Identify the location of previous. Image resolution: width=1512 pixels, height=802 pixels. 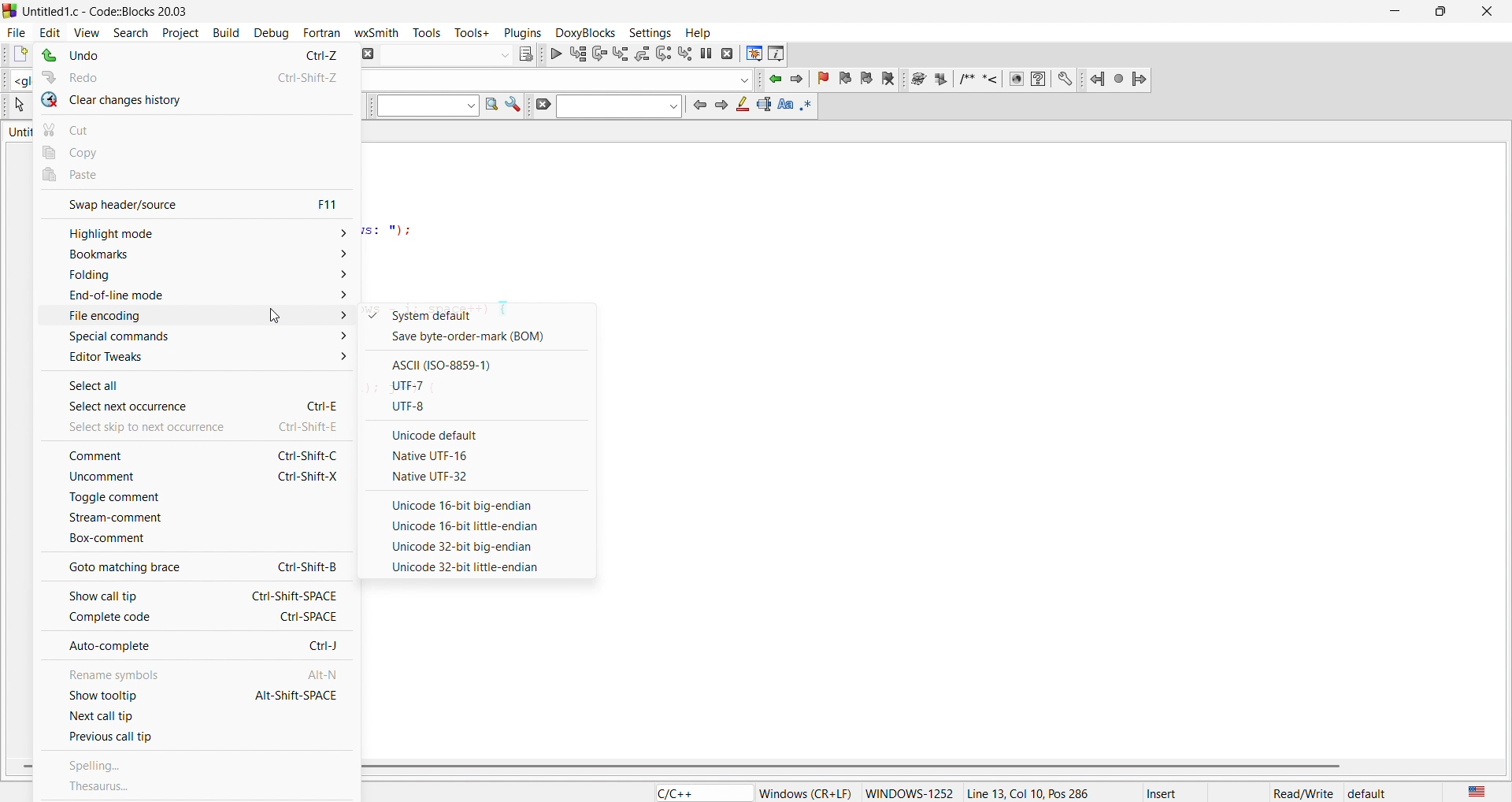
(699, 105).